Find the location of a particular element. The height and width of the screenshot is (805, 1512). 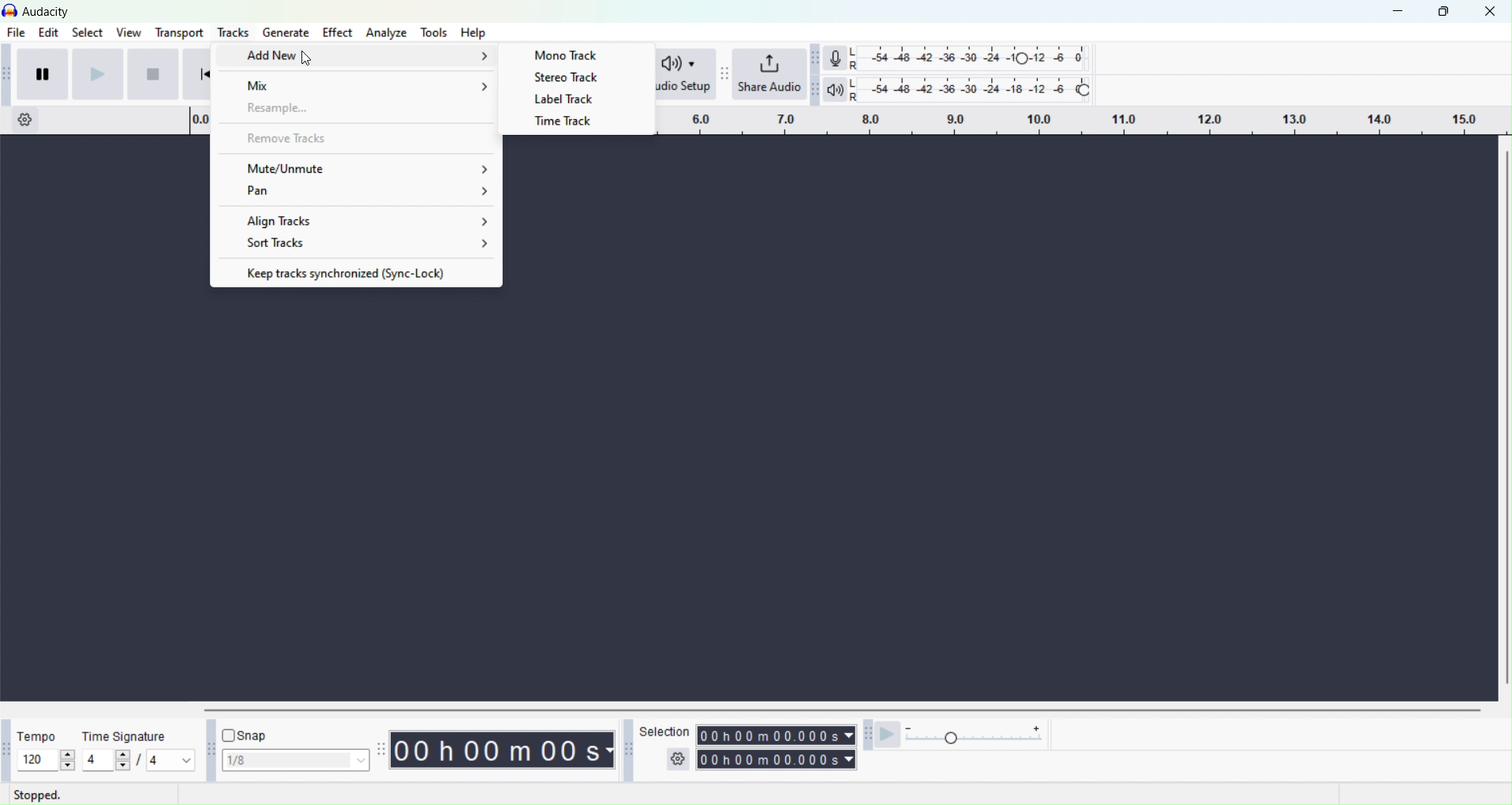

Audacity snapping tool is located at coordinates (208, 750).